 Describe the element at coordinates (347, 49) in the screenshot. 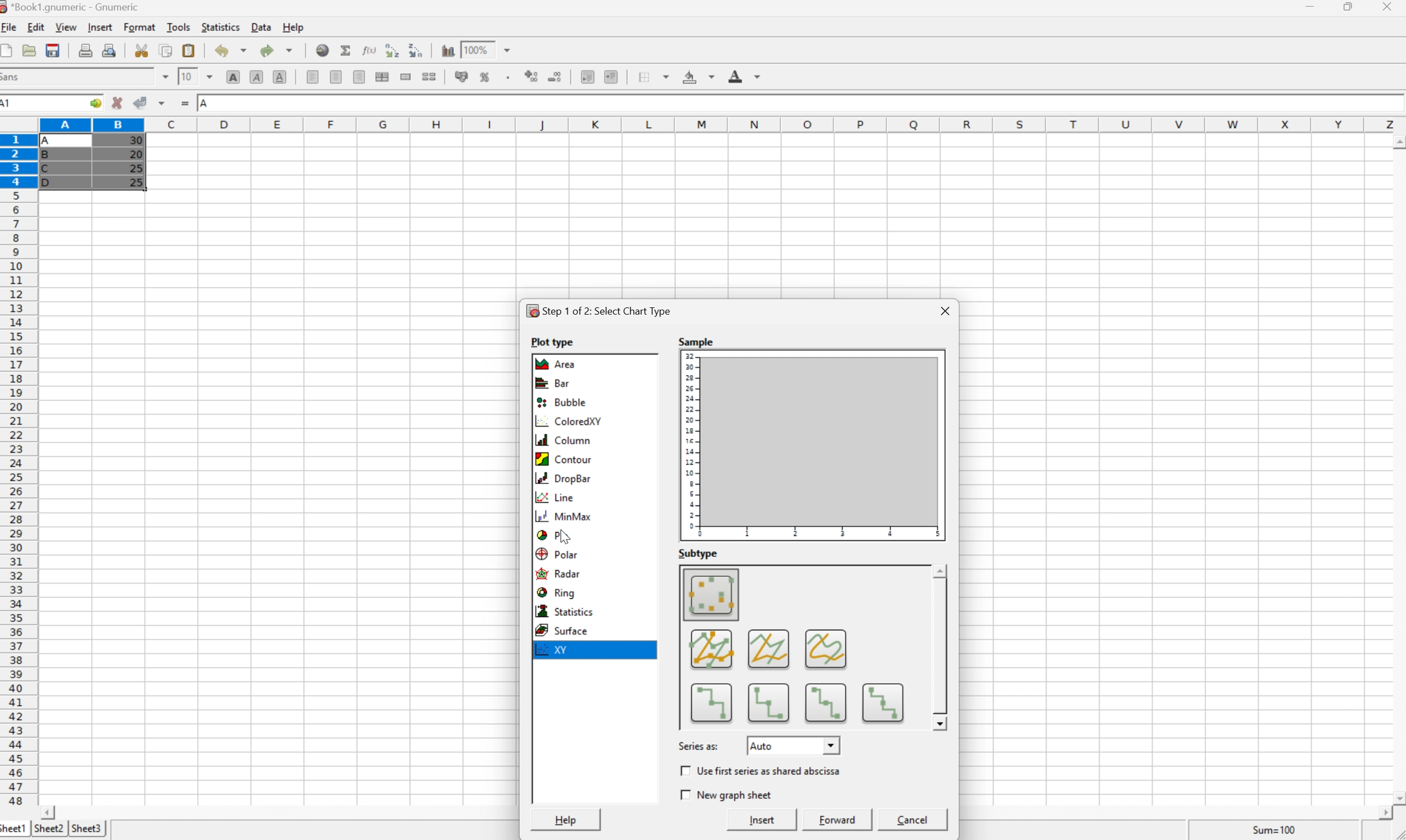

I see `Sum into current cell` at that location.